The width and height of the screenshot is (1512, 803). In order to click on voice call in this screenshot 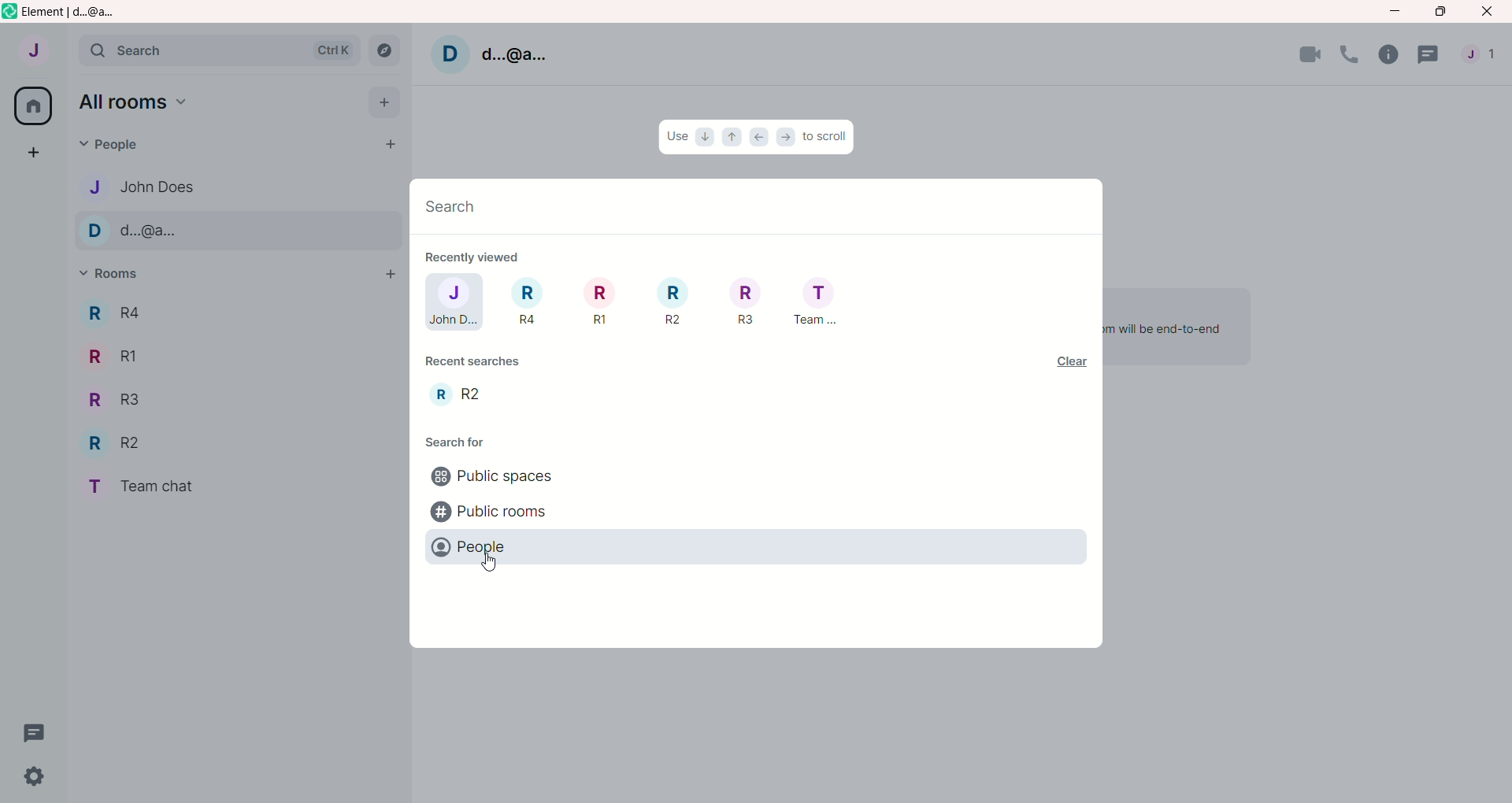, I will do `click(1353, 55)`.